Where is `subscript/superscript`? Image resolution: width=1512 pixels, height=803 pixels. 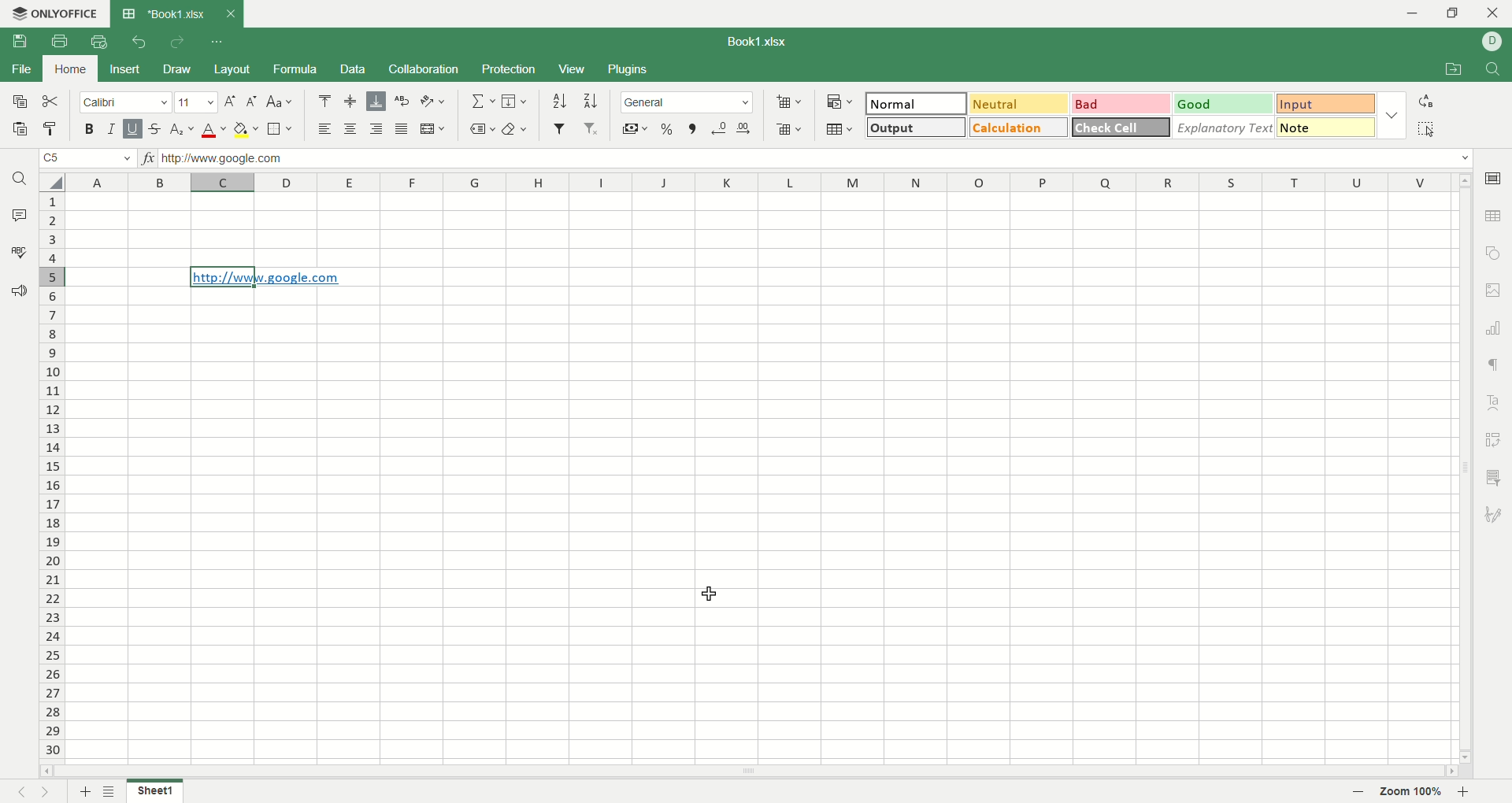
subscript/superscript is located at coordinates (182, 130).